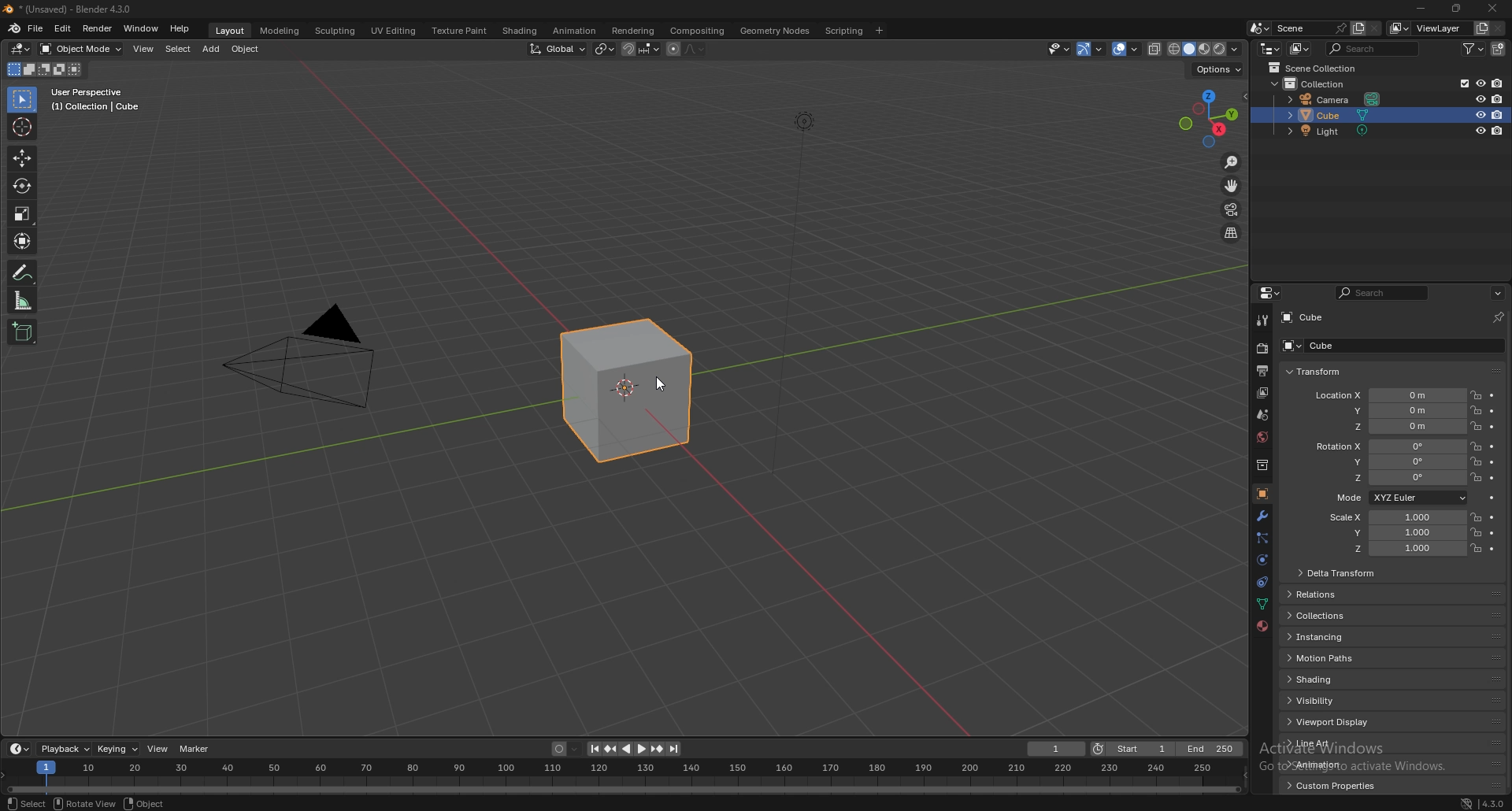  I want to click on version, so click(1493, 804).